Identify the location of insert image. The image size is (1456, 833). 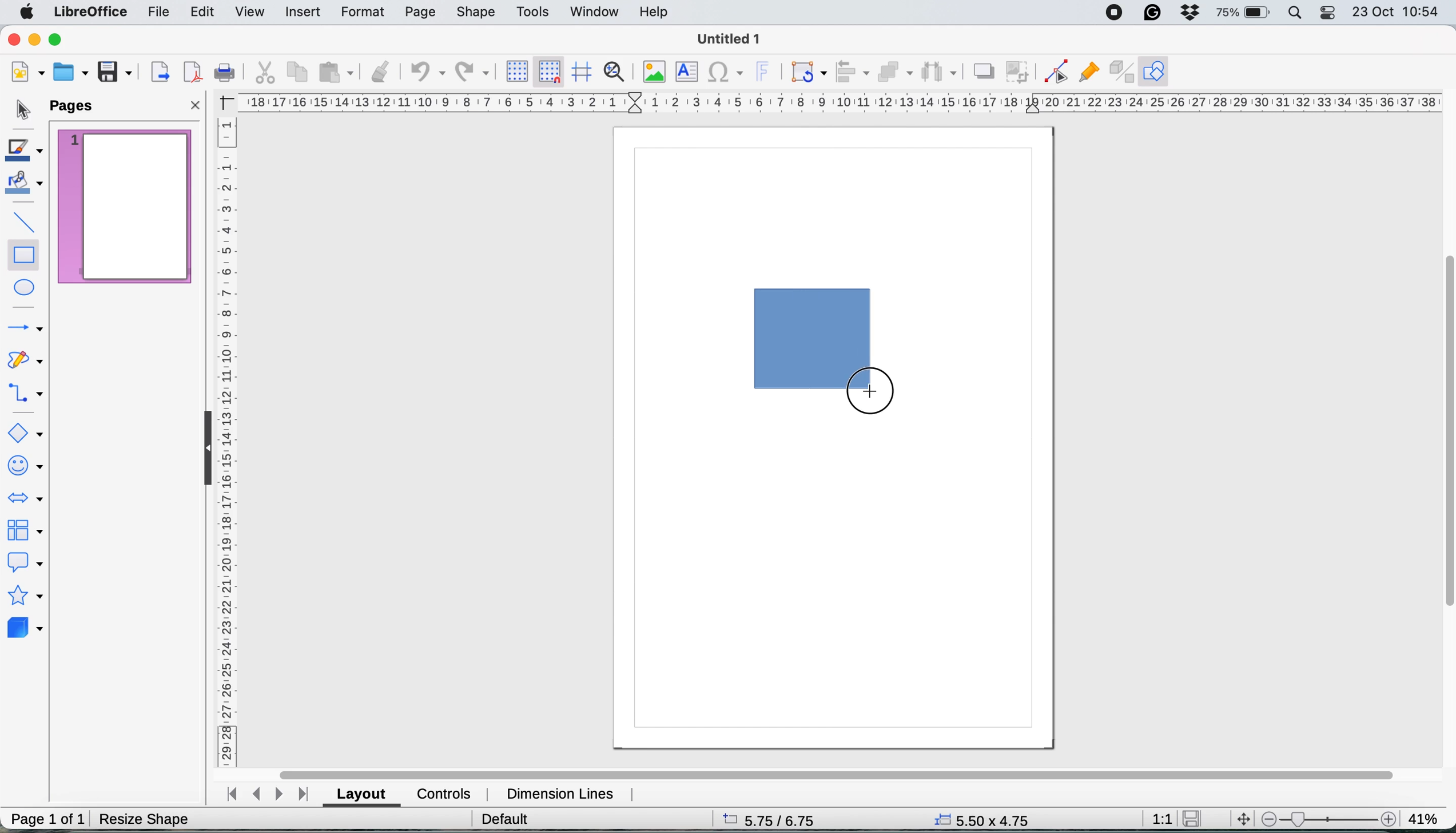
(658, 70).